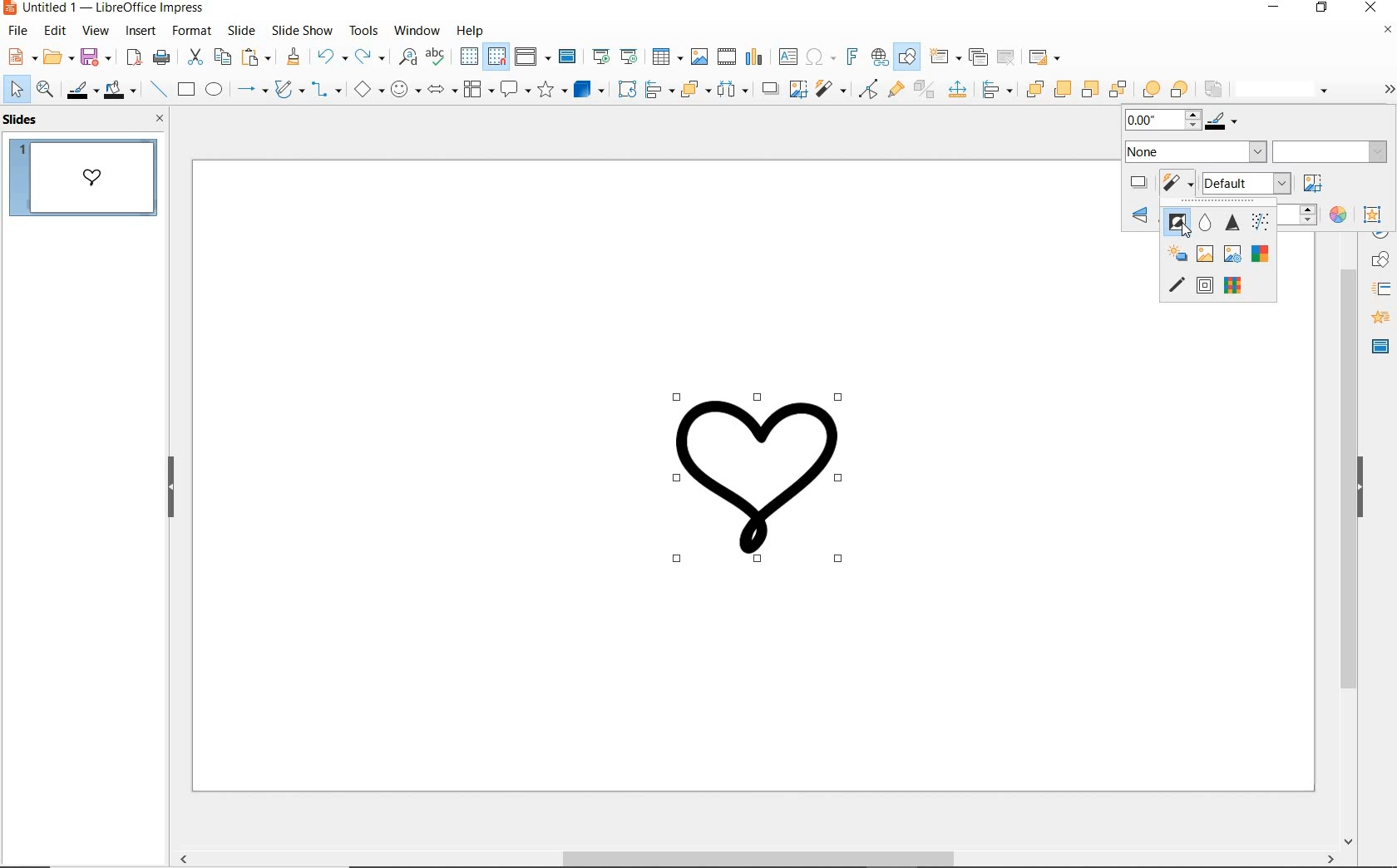  What do you see at coordinates (96, 57) in the screenshot?
I see `save` at bounding box center [96, 57].